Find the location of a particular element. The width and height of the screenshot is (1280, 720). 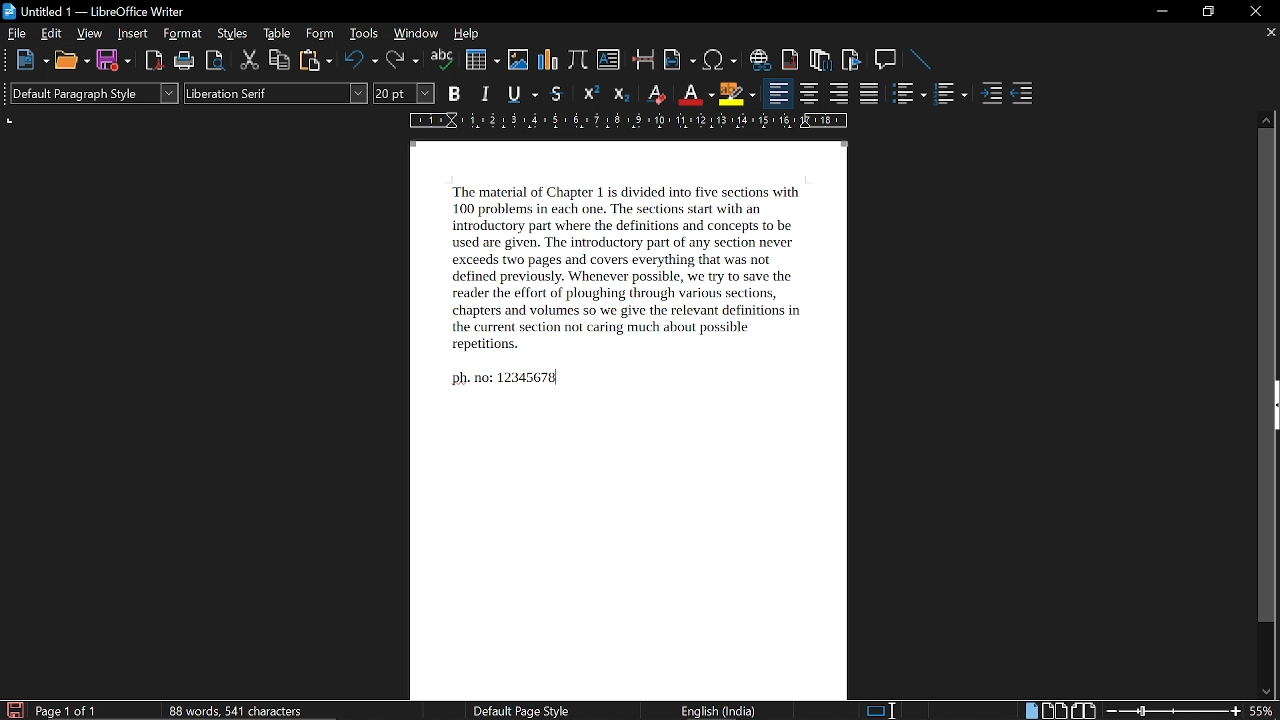

Untitled 1 - LibreOffice Writer is located at coordinates (96, 11).